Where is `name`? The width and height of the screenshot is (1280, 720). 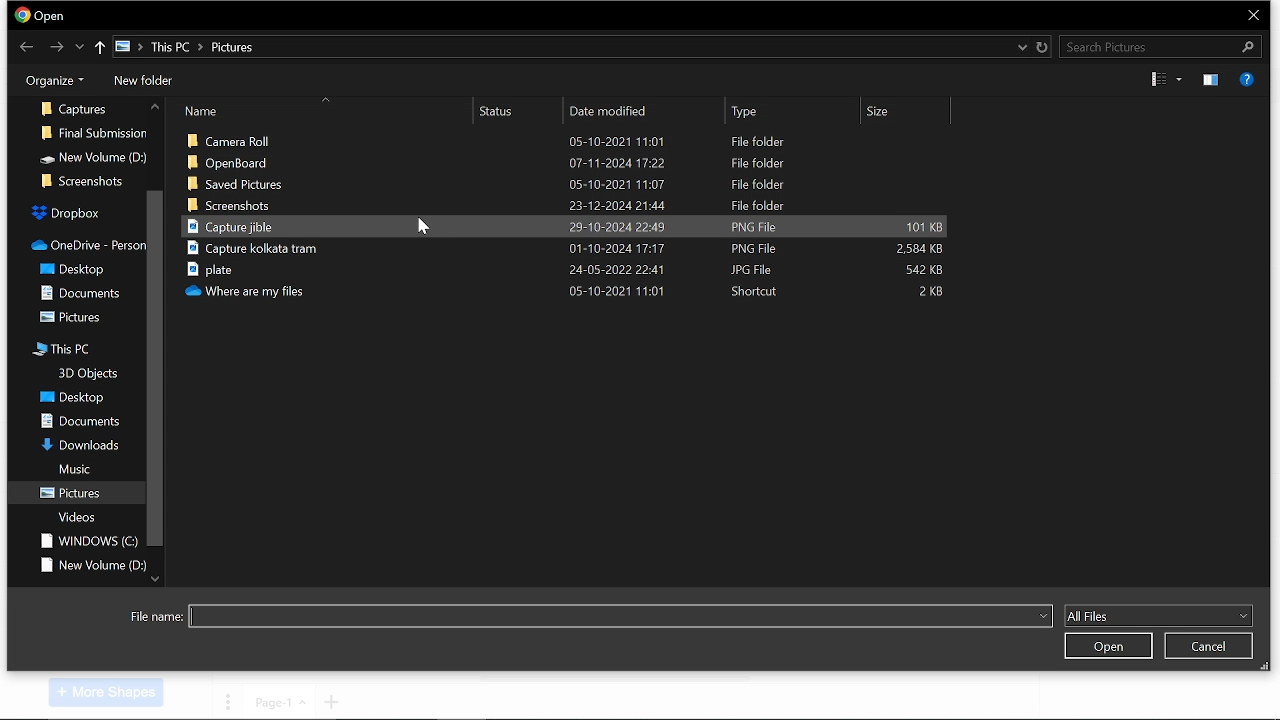 name is located at coordinates (328, 110).